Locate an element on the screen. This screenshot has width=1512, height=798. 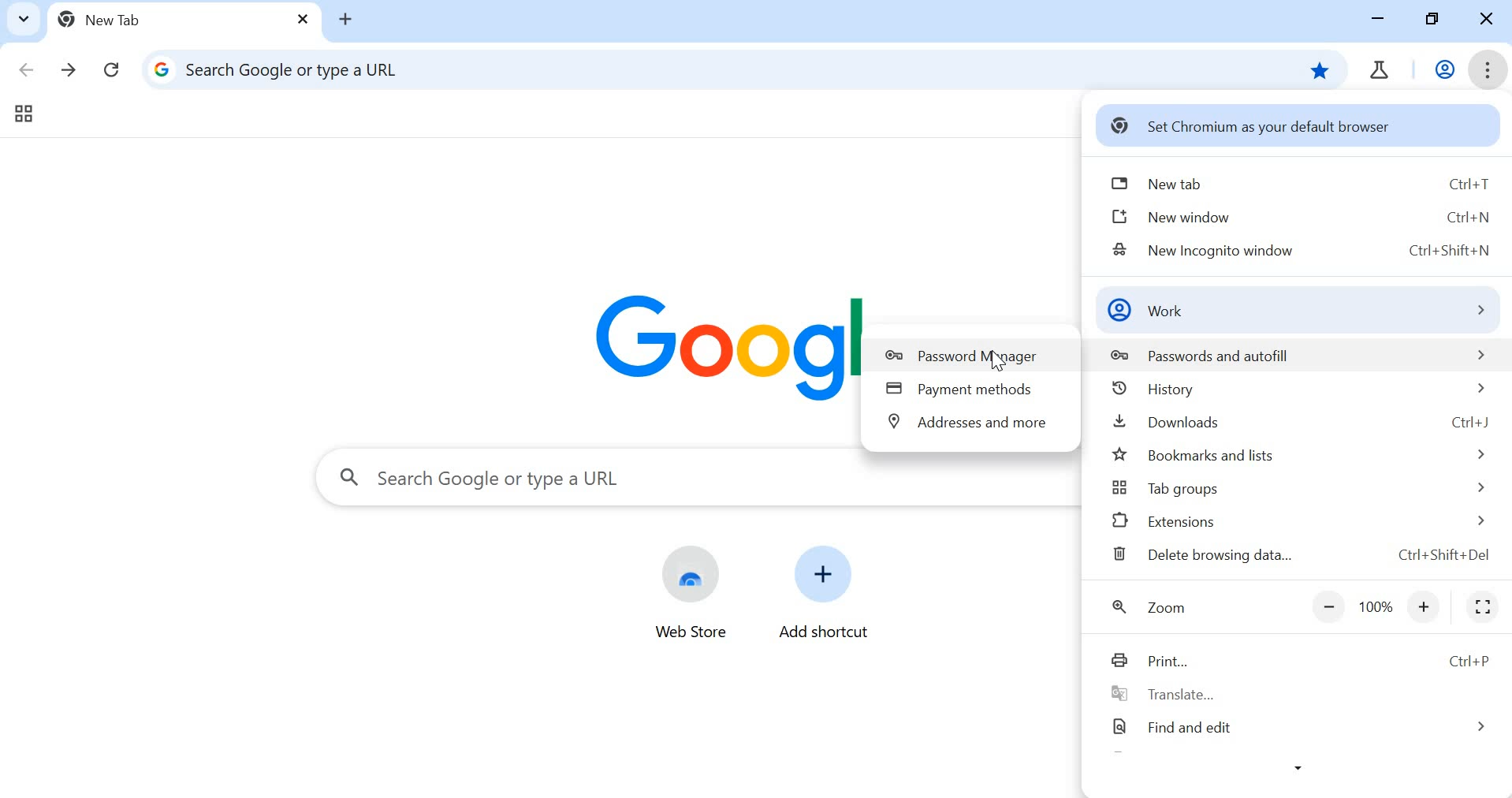
reload this page is located at coordinates (110, 68).